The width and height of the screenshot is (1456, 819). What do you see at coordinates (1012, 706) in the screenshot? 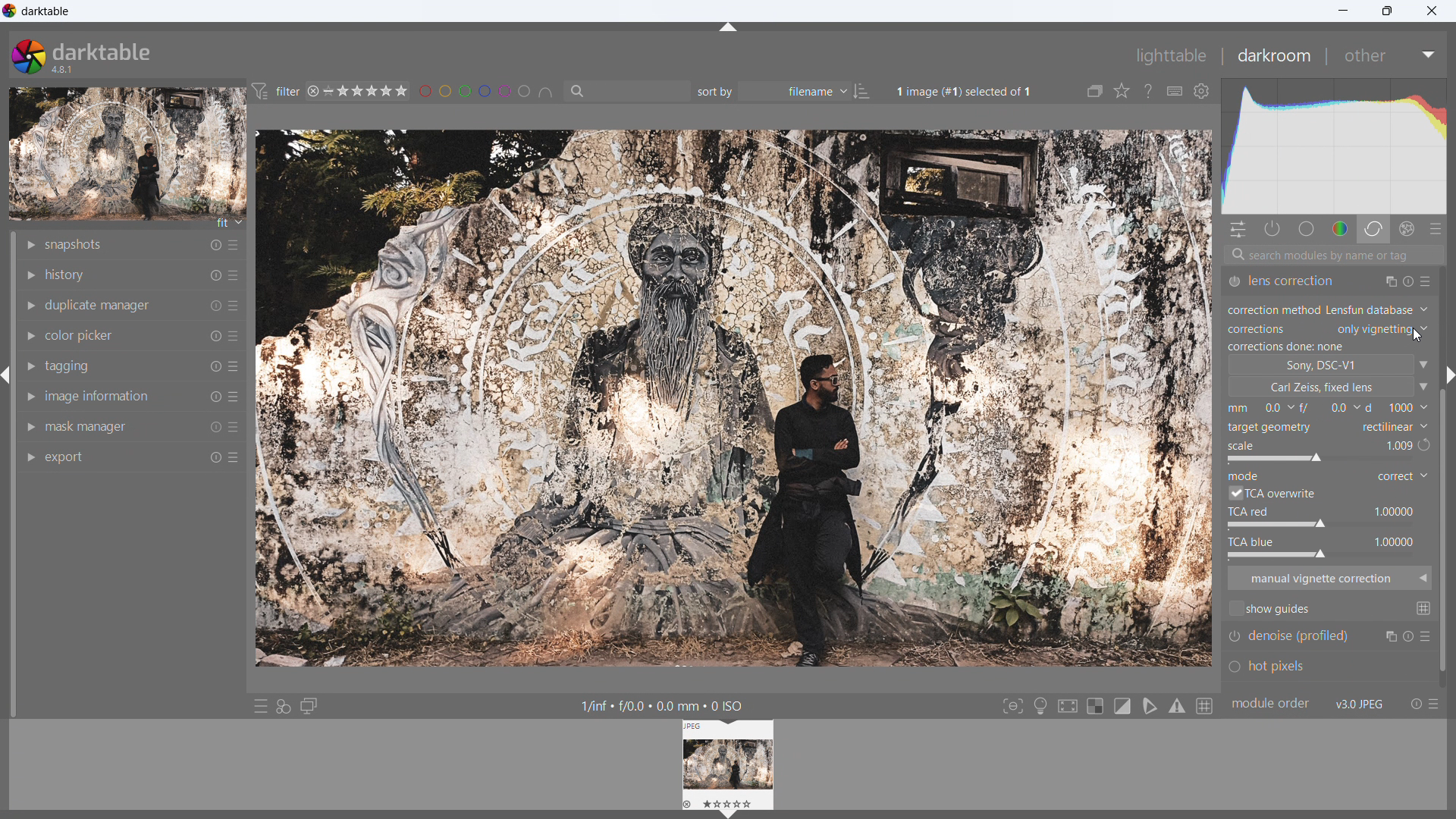
I see `toggle focus-peaking mode` at bounding box center [1012, 706].